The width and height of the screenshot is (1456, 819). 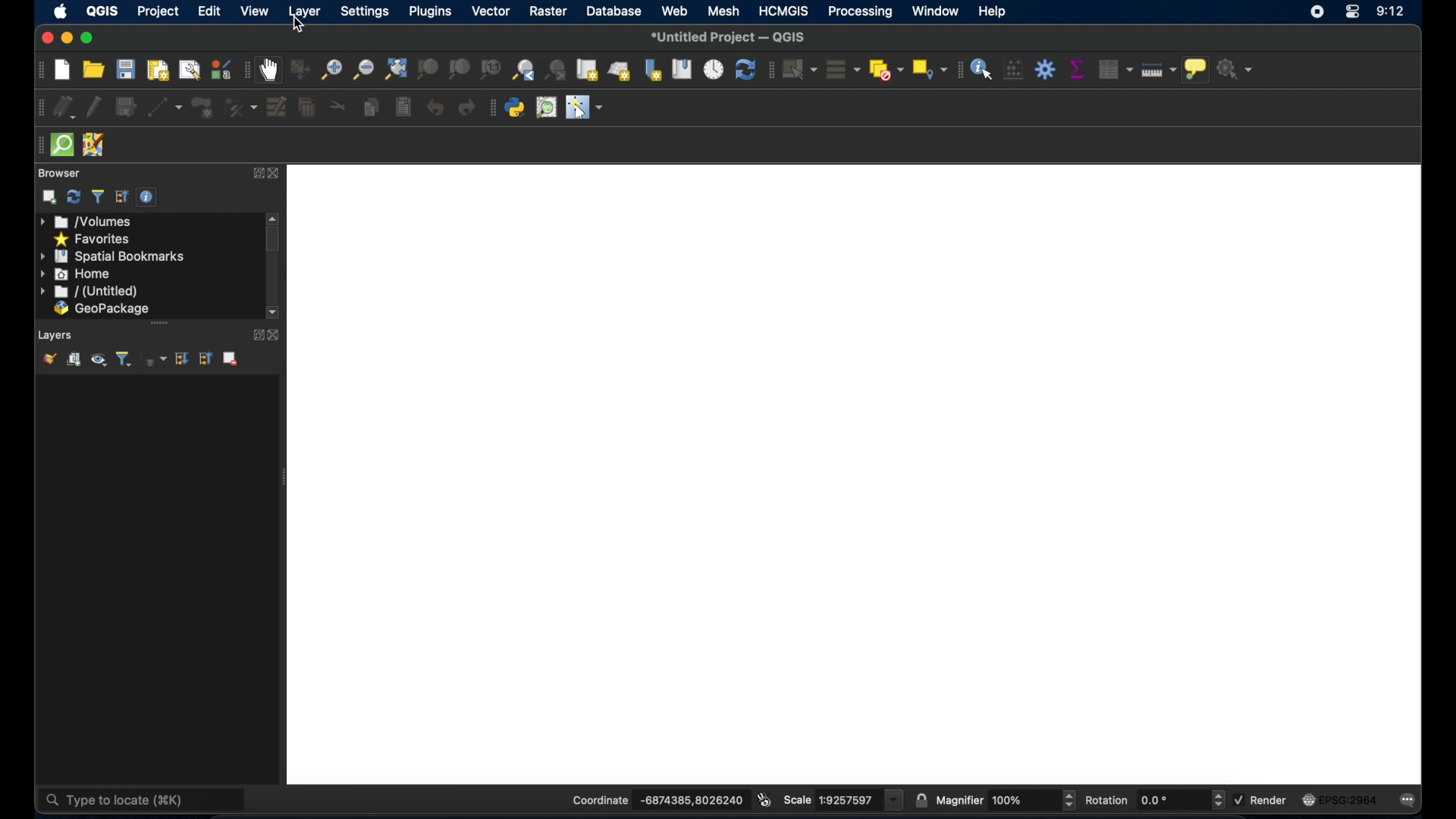 What do you see at coordinates (431, 105) in the screenshot?
I see `undo` at bounding box center [431, 105].